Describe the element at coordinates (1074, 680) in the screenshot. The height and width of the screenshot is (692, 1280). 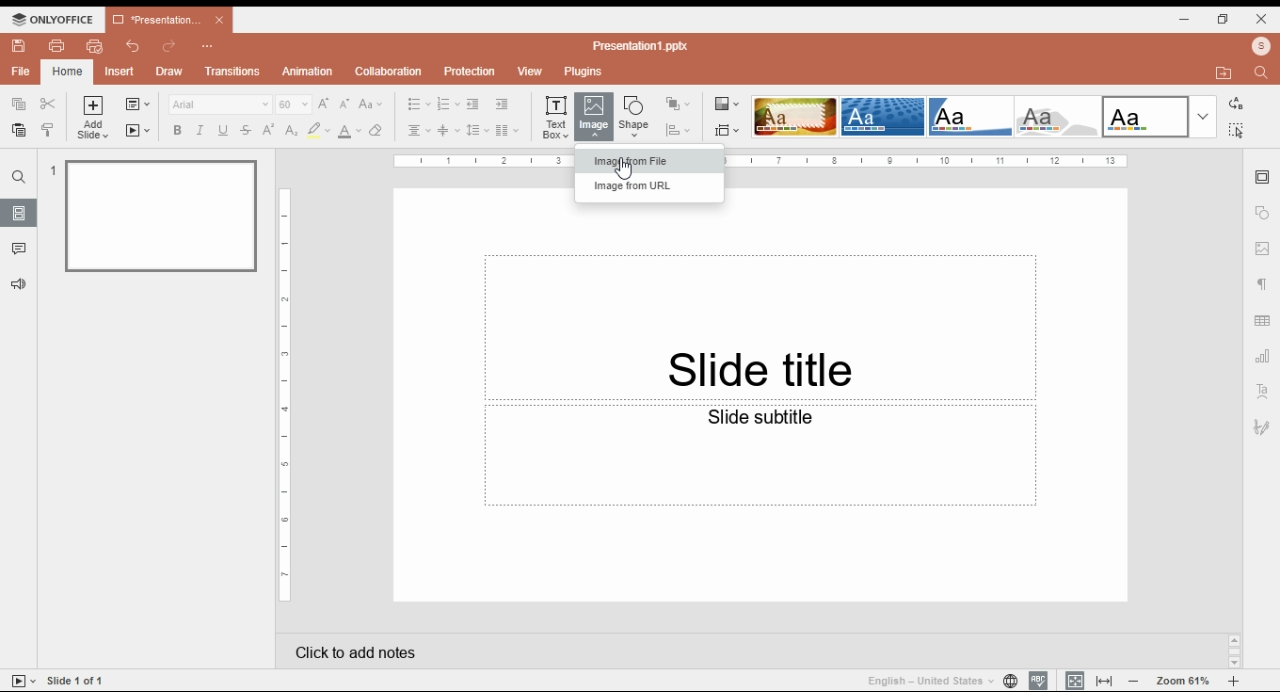
I see `fit to slide` at that location.